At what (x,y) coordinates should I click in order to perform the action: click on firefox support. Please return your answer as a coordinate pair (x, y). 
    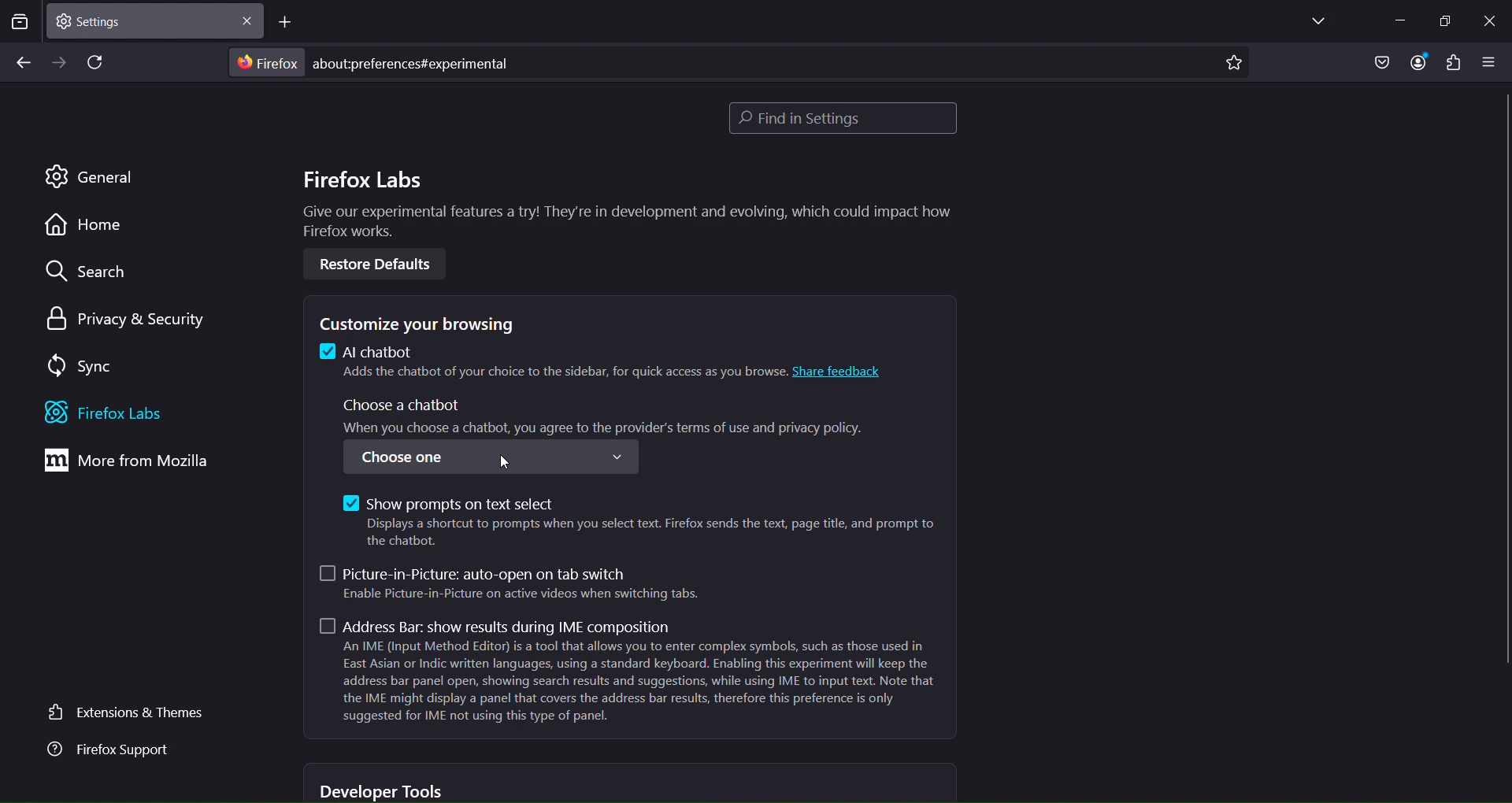
    Looking at the image, I should click on (106, 752).